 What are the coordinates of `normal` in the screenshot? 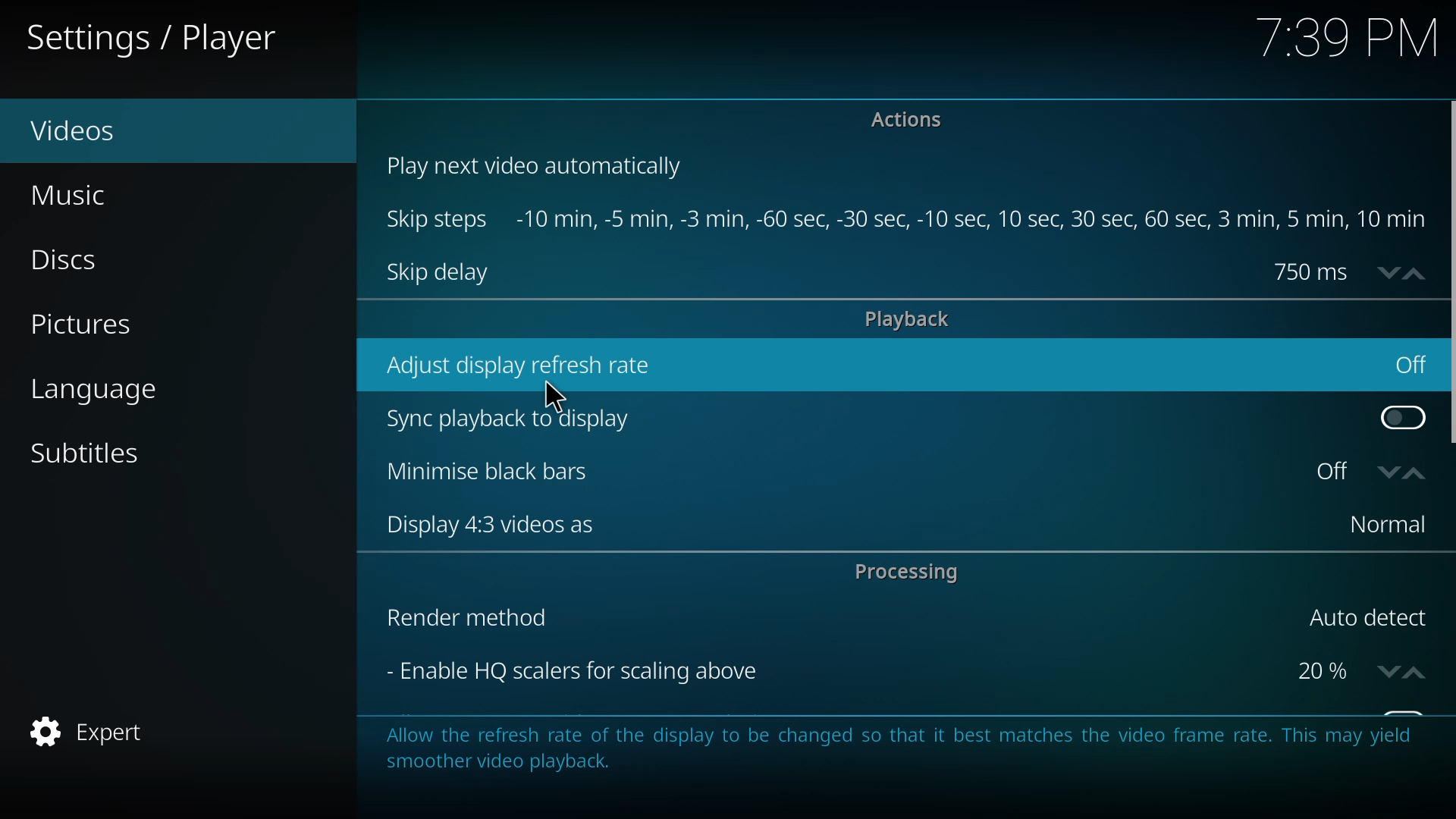 It's located at (1381, 525).